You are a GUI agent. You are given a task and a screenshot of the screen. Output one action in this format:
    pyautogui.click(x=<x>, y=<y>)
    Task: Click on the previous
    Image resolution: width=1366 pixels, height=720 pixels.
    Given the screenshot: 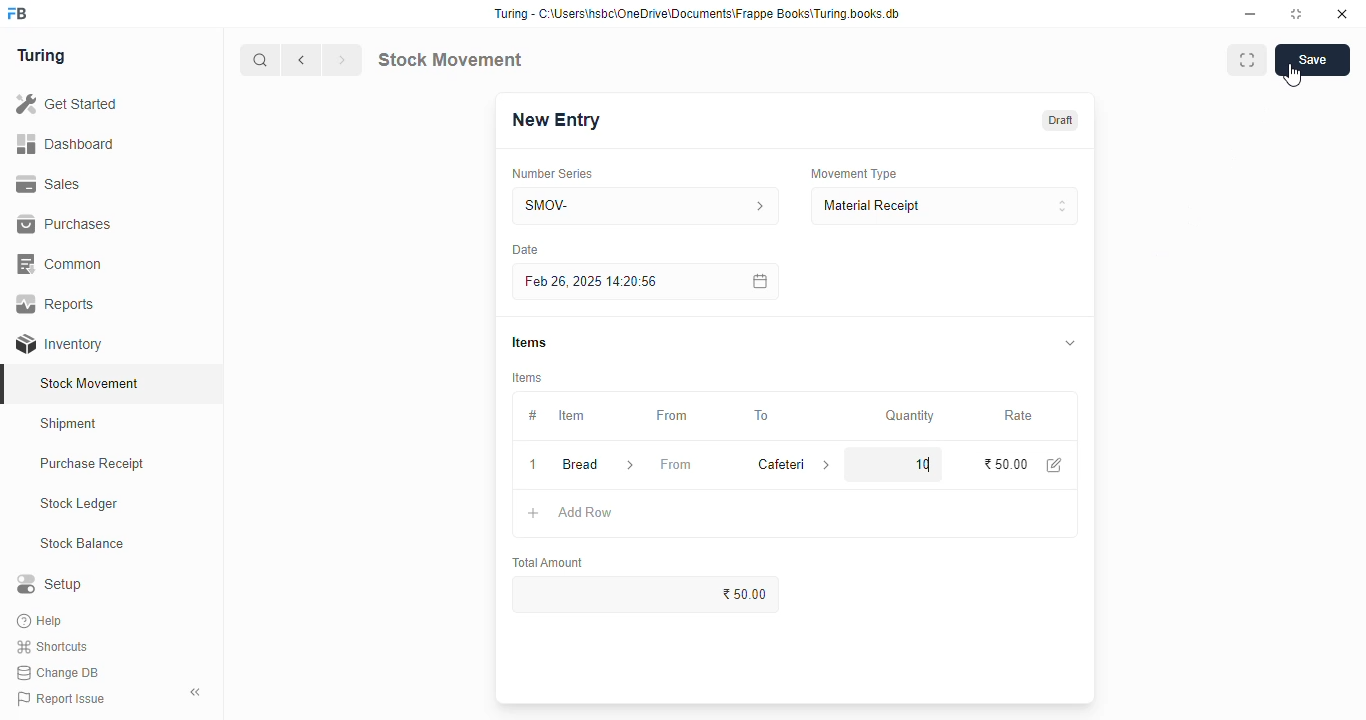 What is the action you would take?
    pyautogui.click(x=302, y=60)
    